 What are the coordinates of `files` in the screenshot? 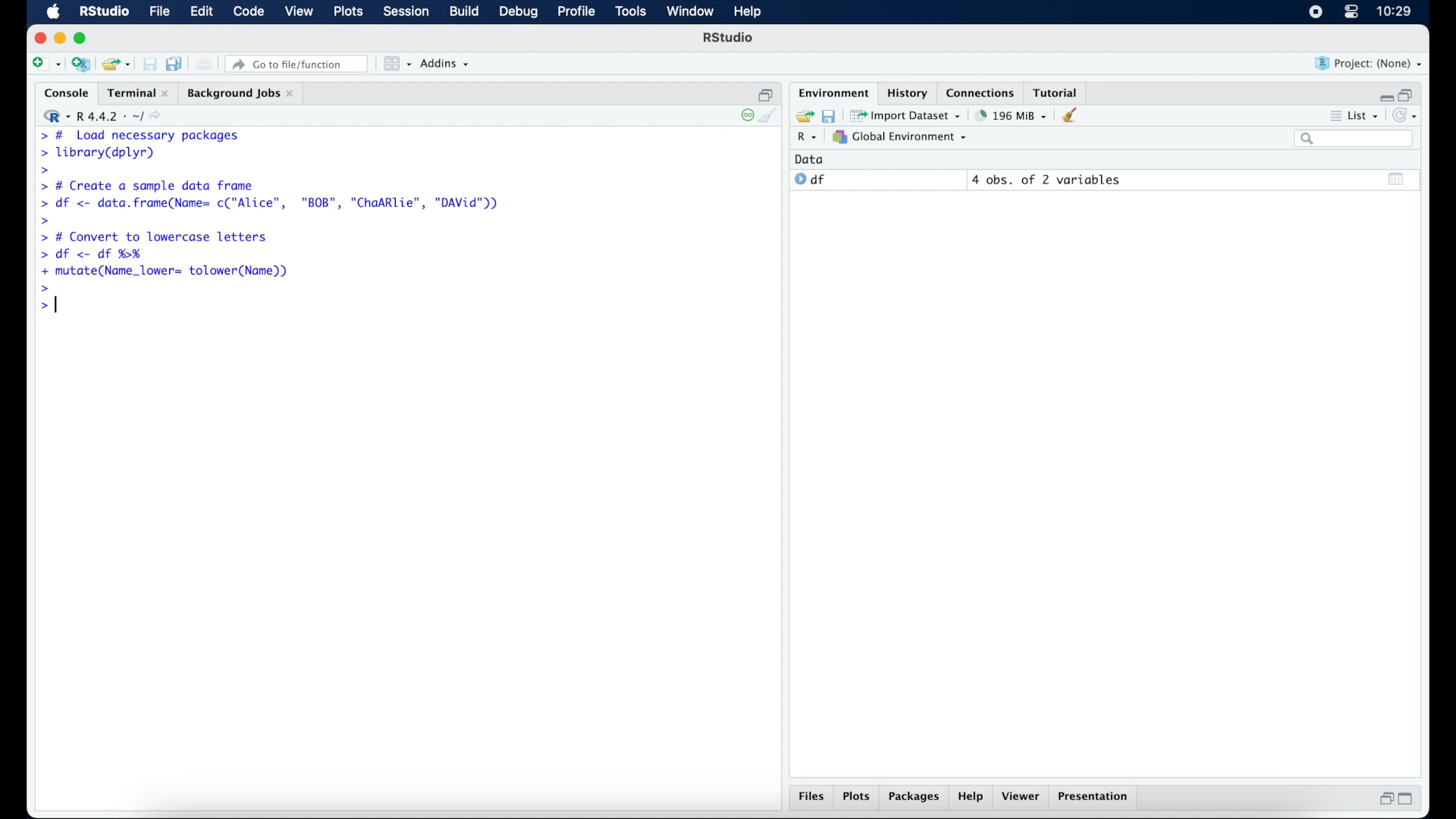 It's located at (811, 799).